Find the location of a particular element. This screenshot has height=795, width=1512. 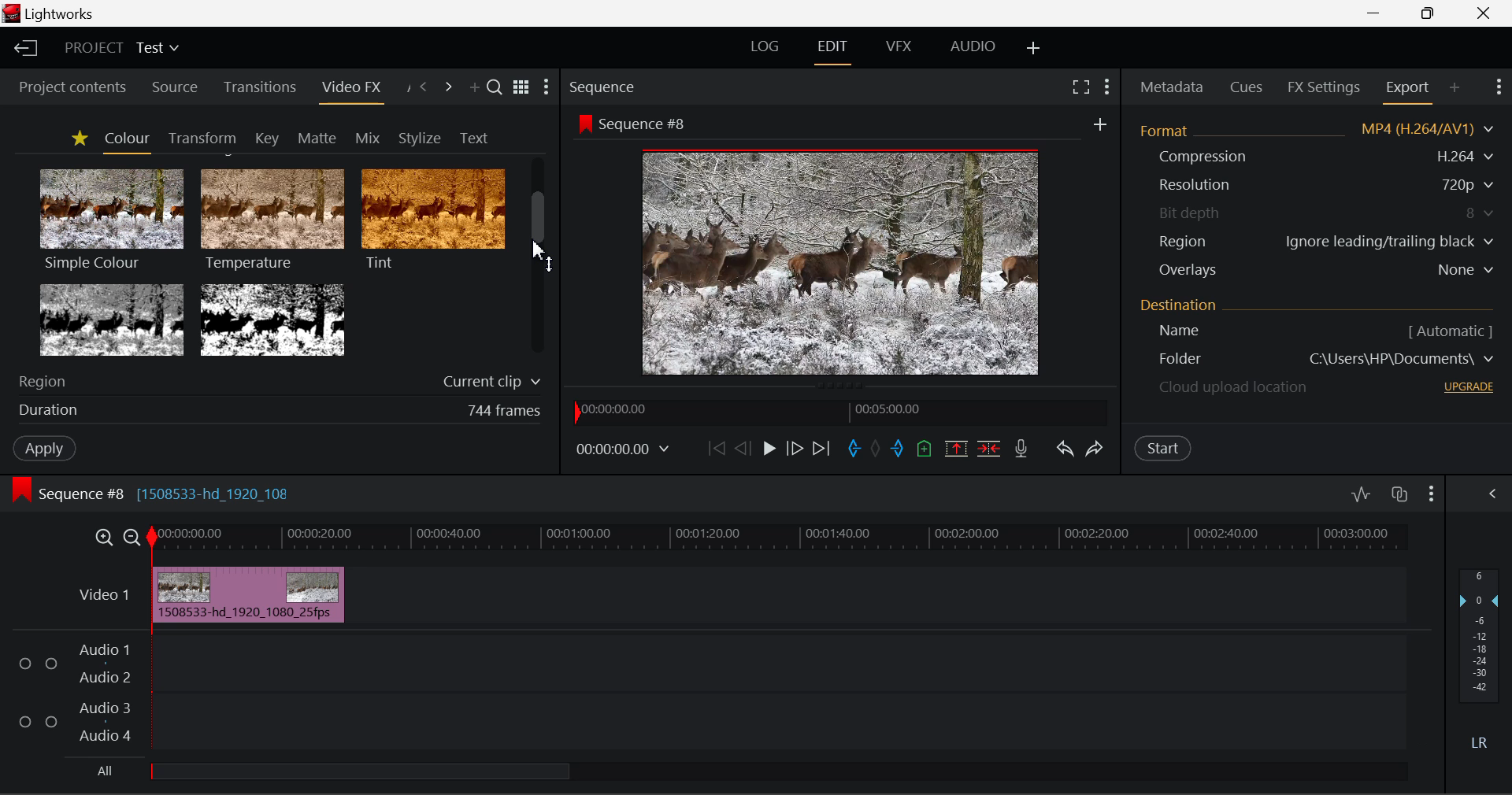

Video FX is located at coordinates (350, 92).